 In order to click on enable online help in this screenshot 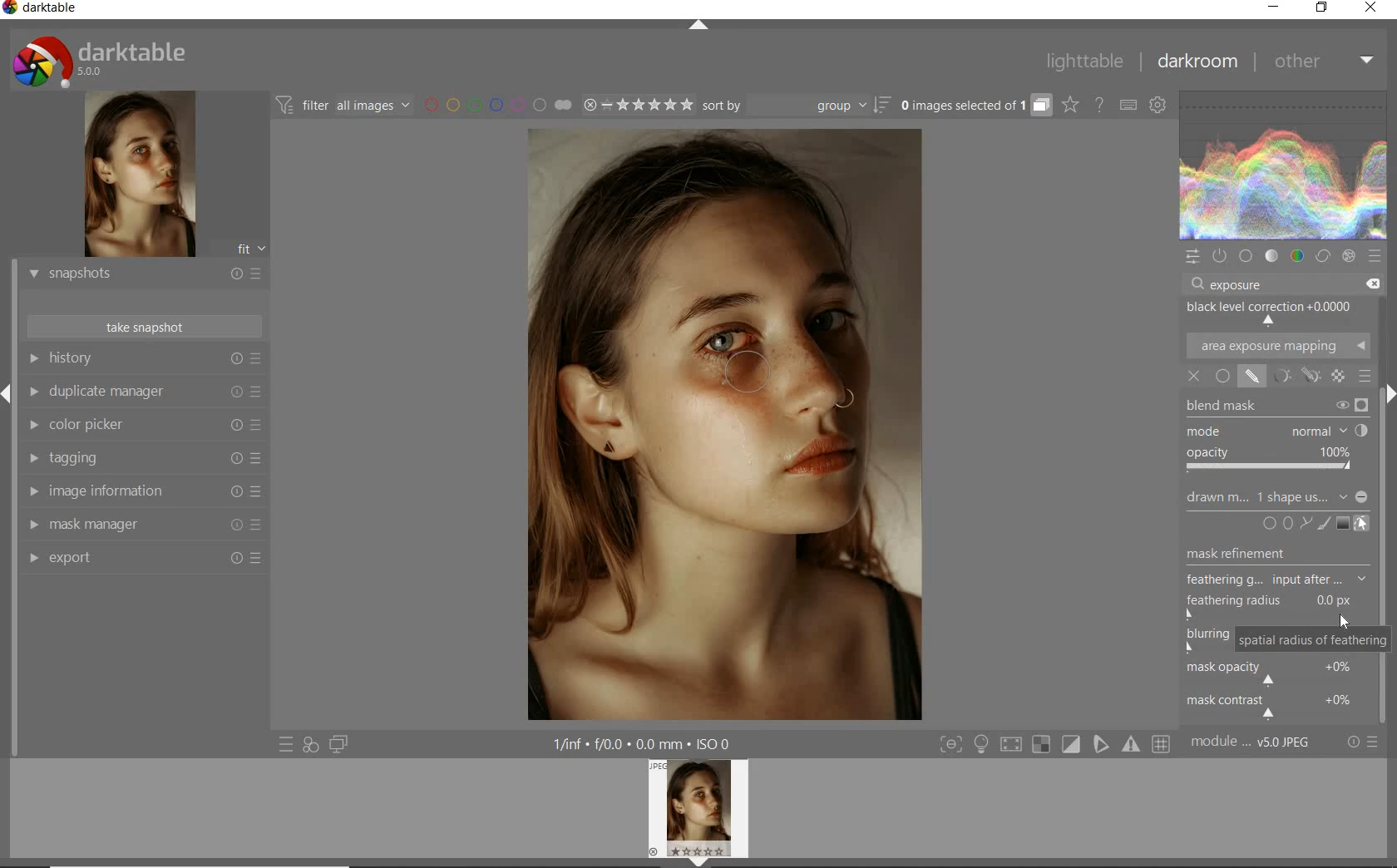, I will do `click(1099, 106)`.